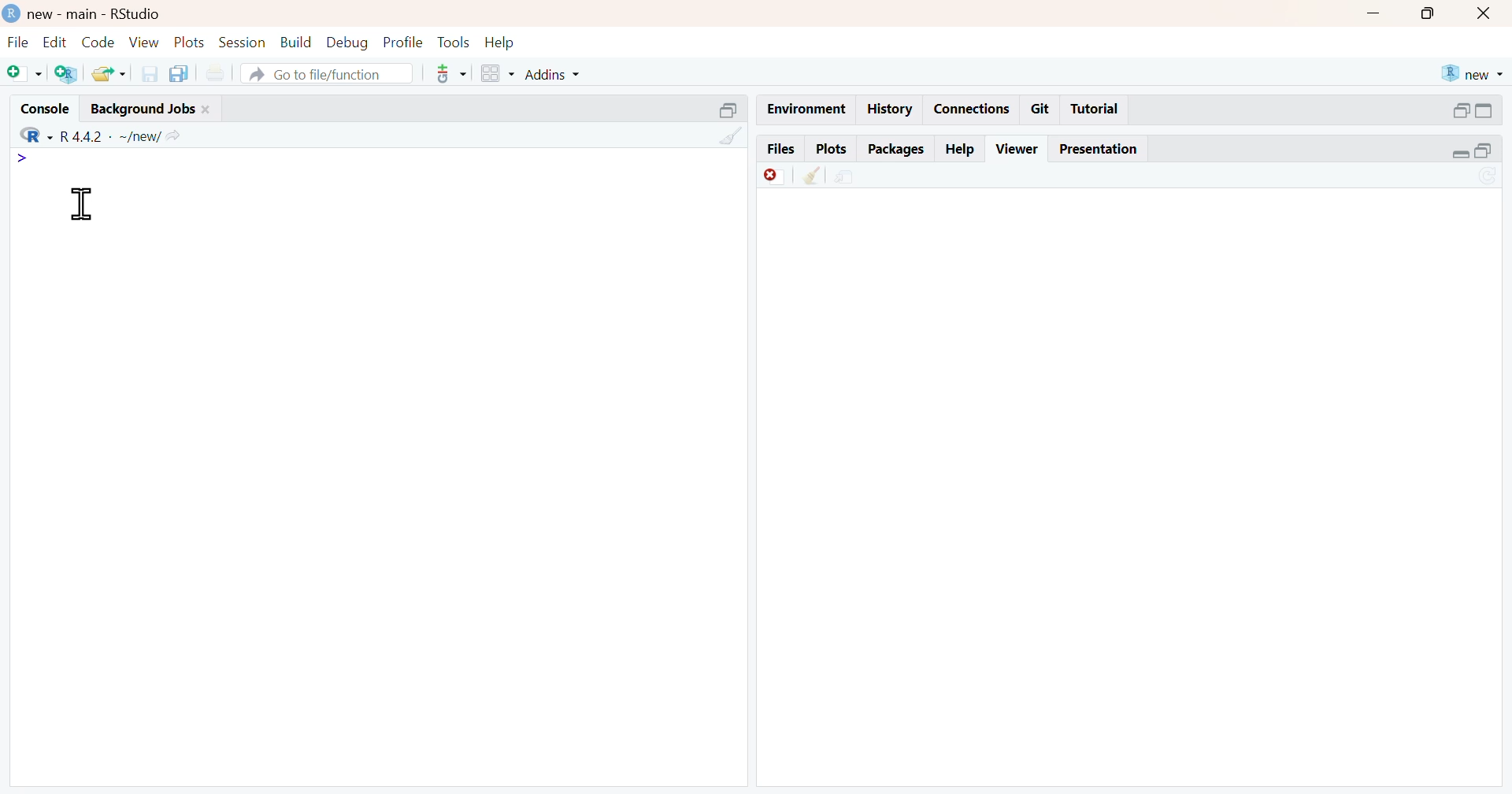  I want to click on profile, so click(402, 42).